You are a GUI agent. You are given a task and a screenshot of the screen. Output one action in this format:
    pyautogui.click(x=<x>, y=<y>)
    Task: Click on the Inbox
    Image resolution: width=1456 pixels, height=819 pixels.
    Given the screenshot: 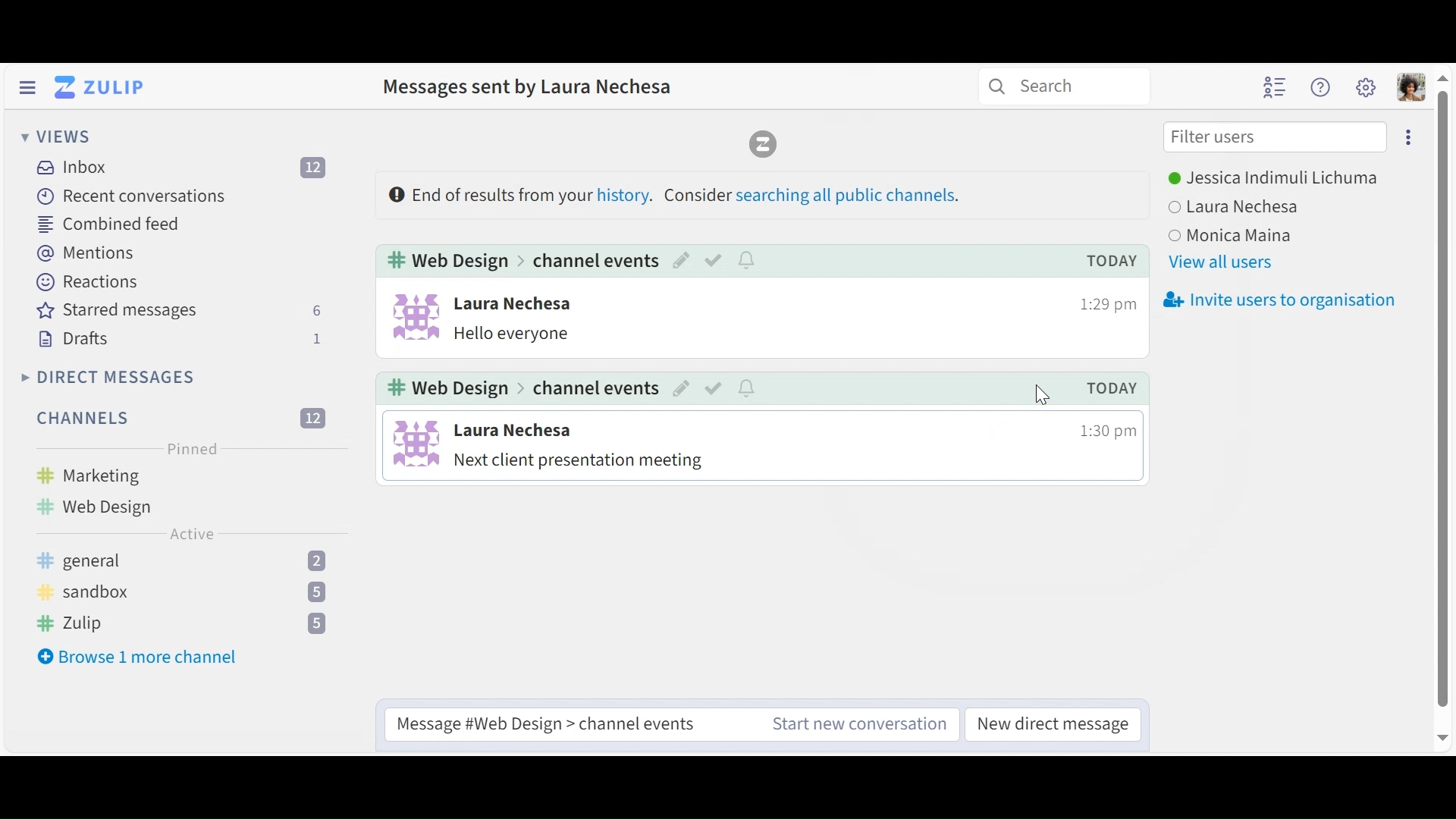 What is the action you would take?
    pyautogui.click(x=190, y=168)
    